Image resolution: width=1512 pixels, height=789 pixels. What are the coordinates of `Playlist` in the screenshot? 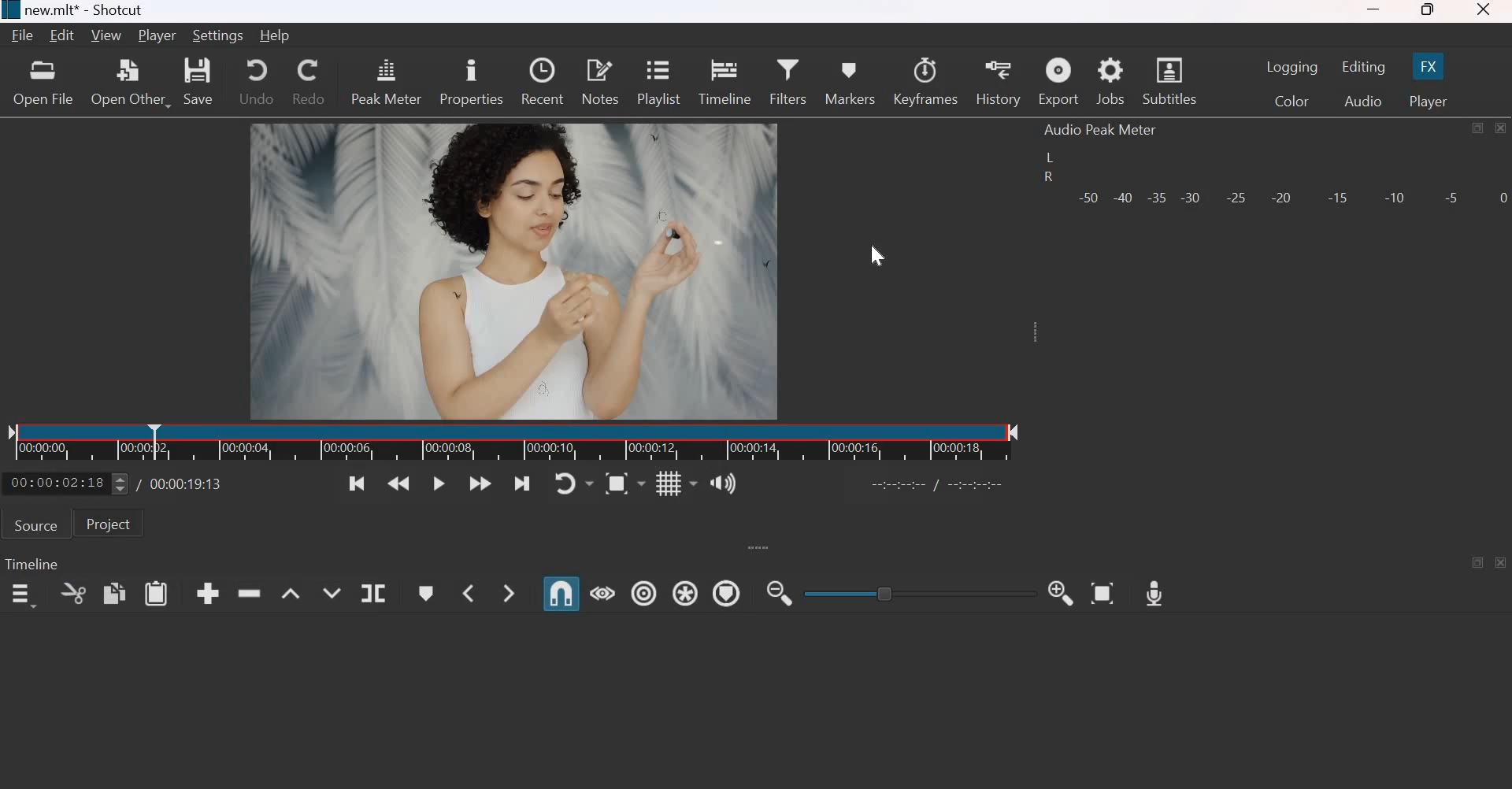 It's located at (660, 81).